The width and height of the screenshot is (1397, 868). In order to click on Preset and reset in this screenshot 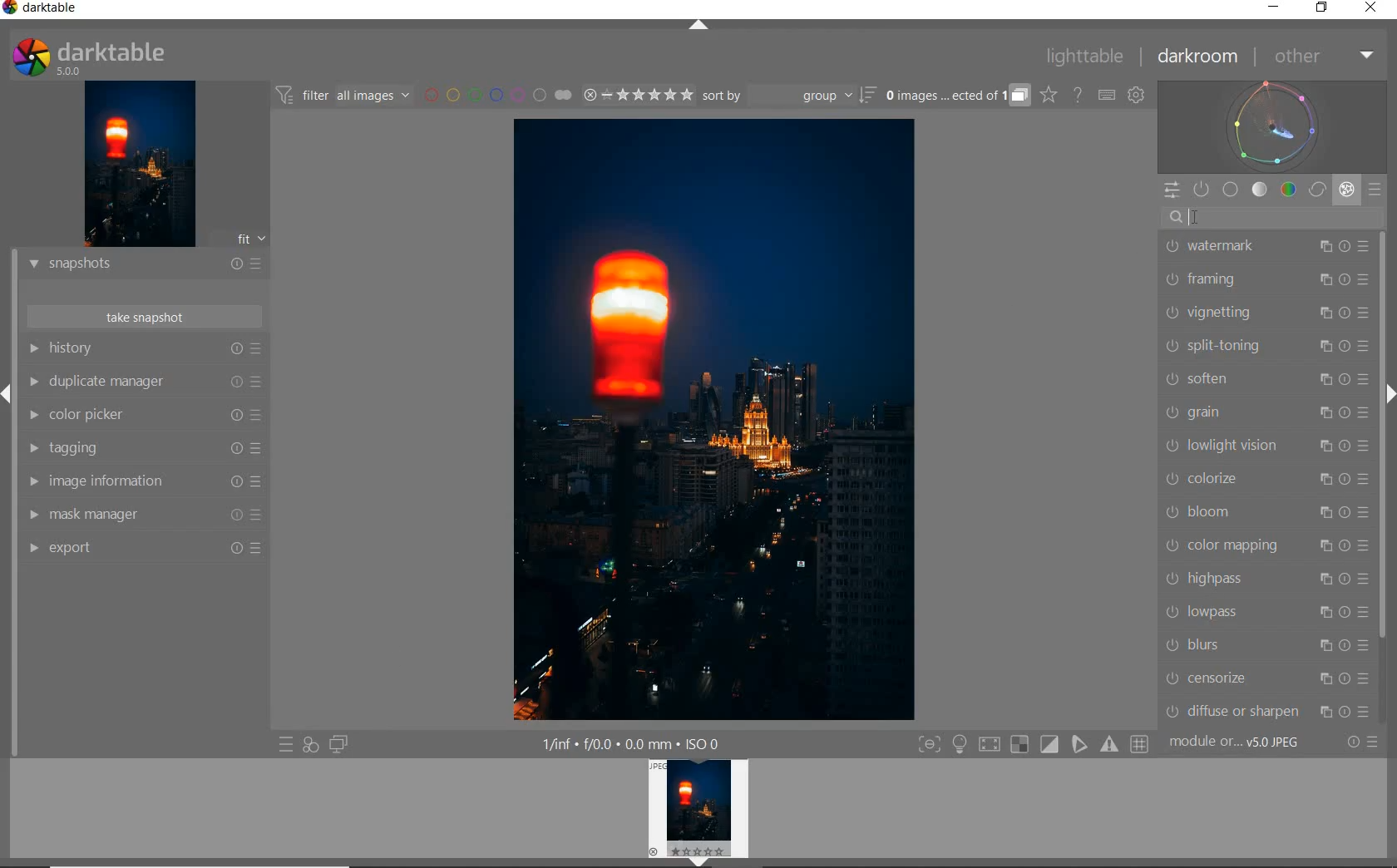, I will do `click(259, 382)`.